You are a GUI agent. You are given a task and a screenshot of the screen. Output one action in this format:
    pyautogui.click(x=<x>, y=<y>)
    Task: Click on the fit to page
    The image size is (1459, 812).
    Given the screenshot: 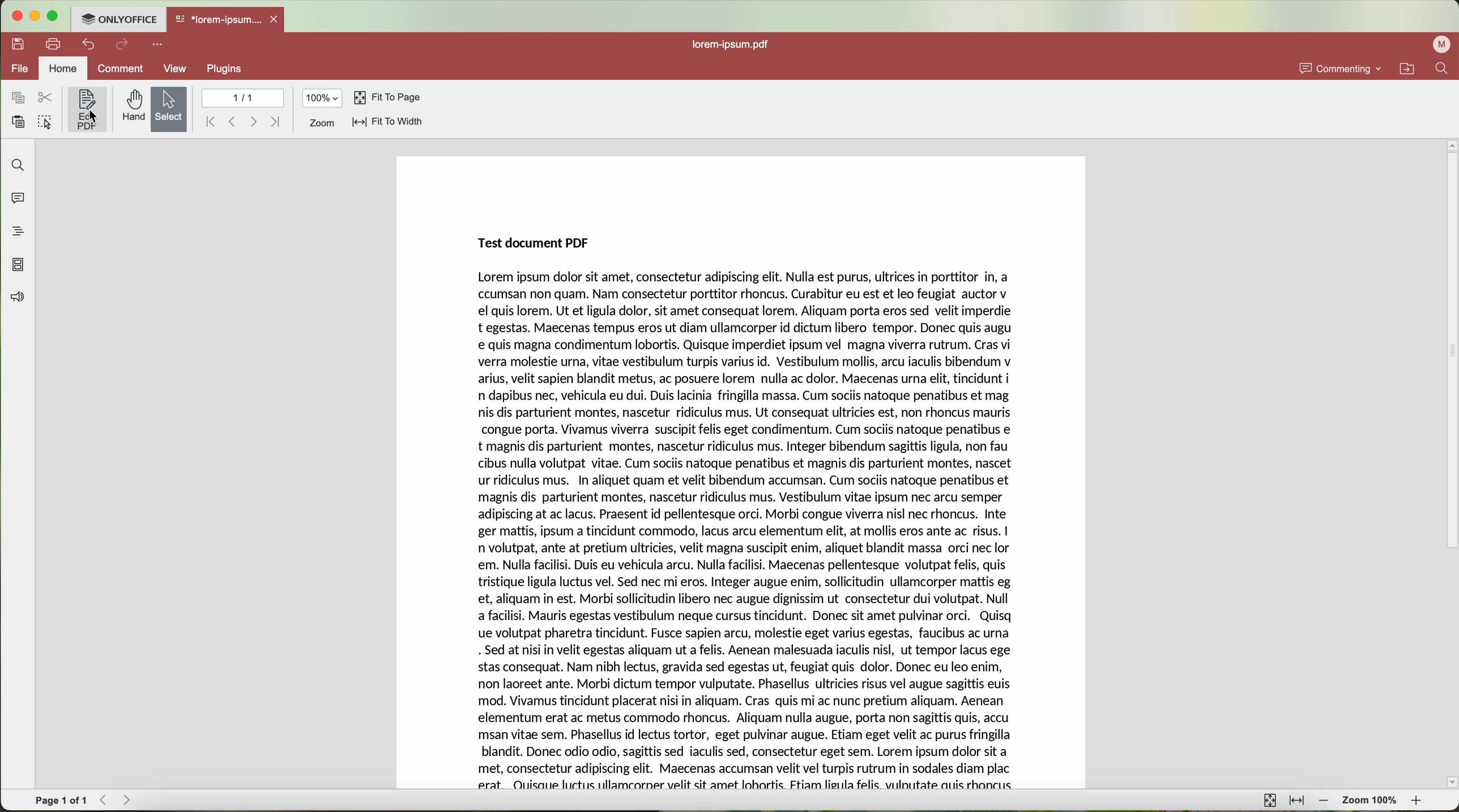 What is the action you would take?
    pyautogui.click(x=389, y=98)
    